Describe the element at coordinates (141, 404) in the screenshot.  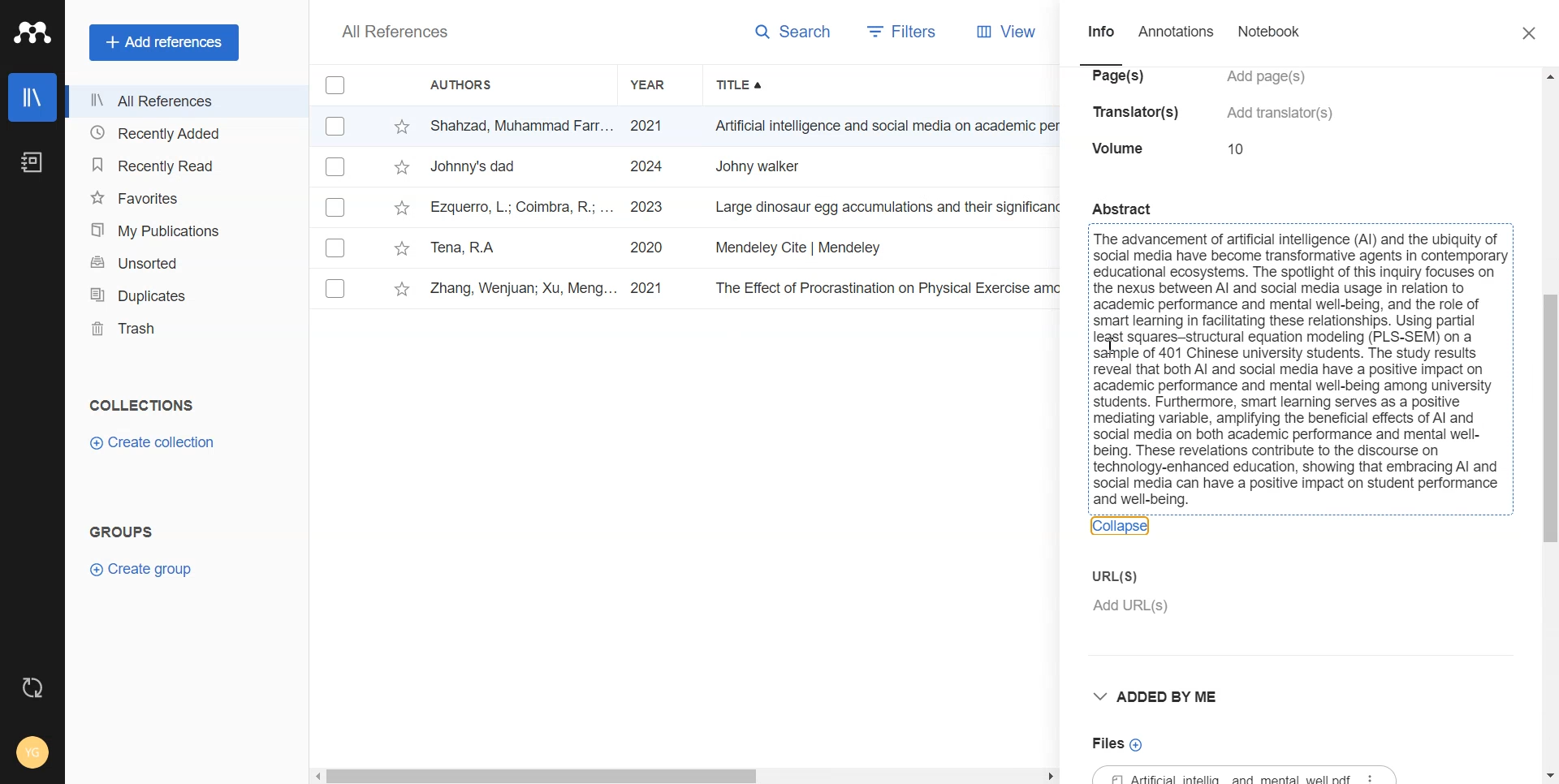
I see `Text ` at that location.